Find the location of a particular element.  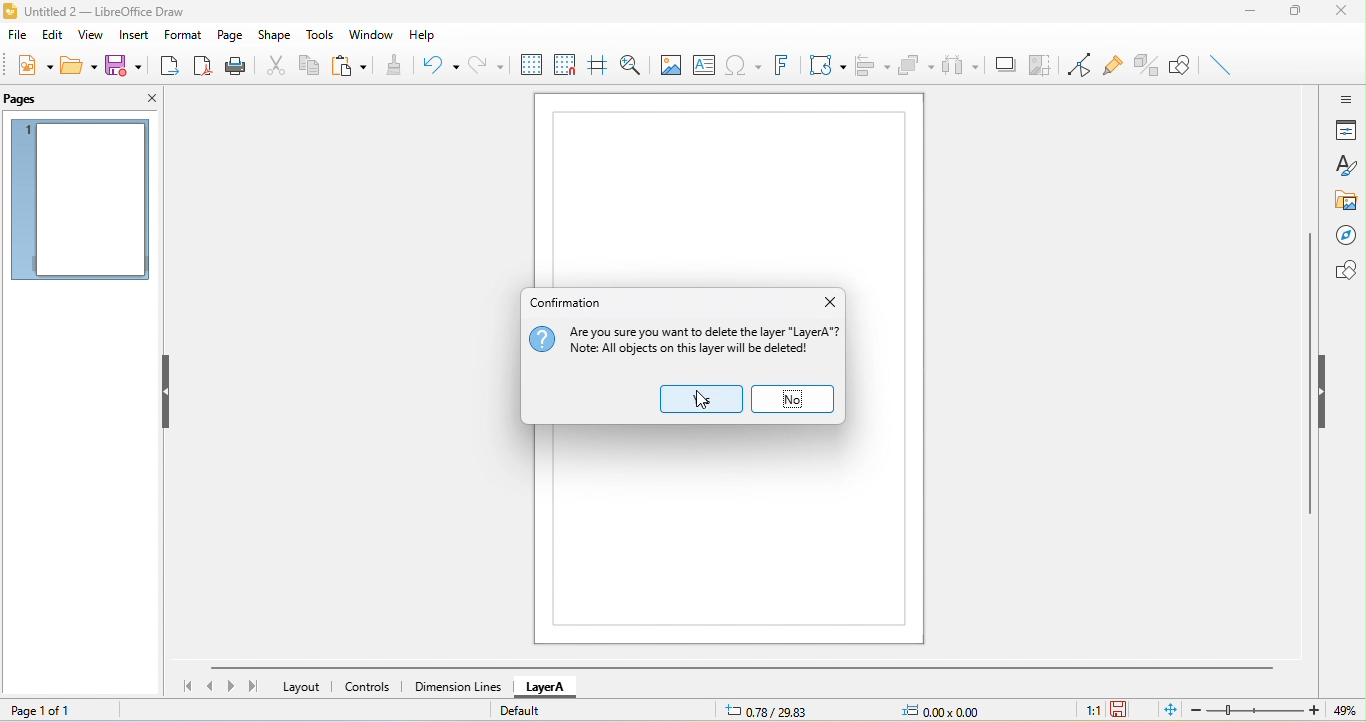

shadow is located at coordinates (1004, 65).